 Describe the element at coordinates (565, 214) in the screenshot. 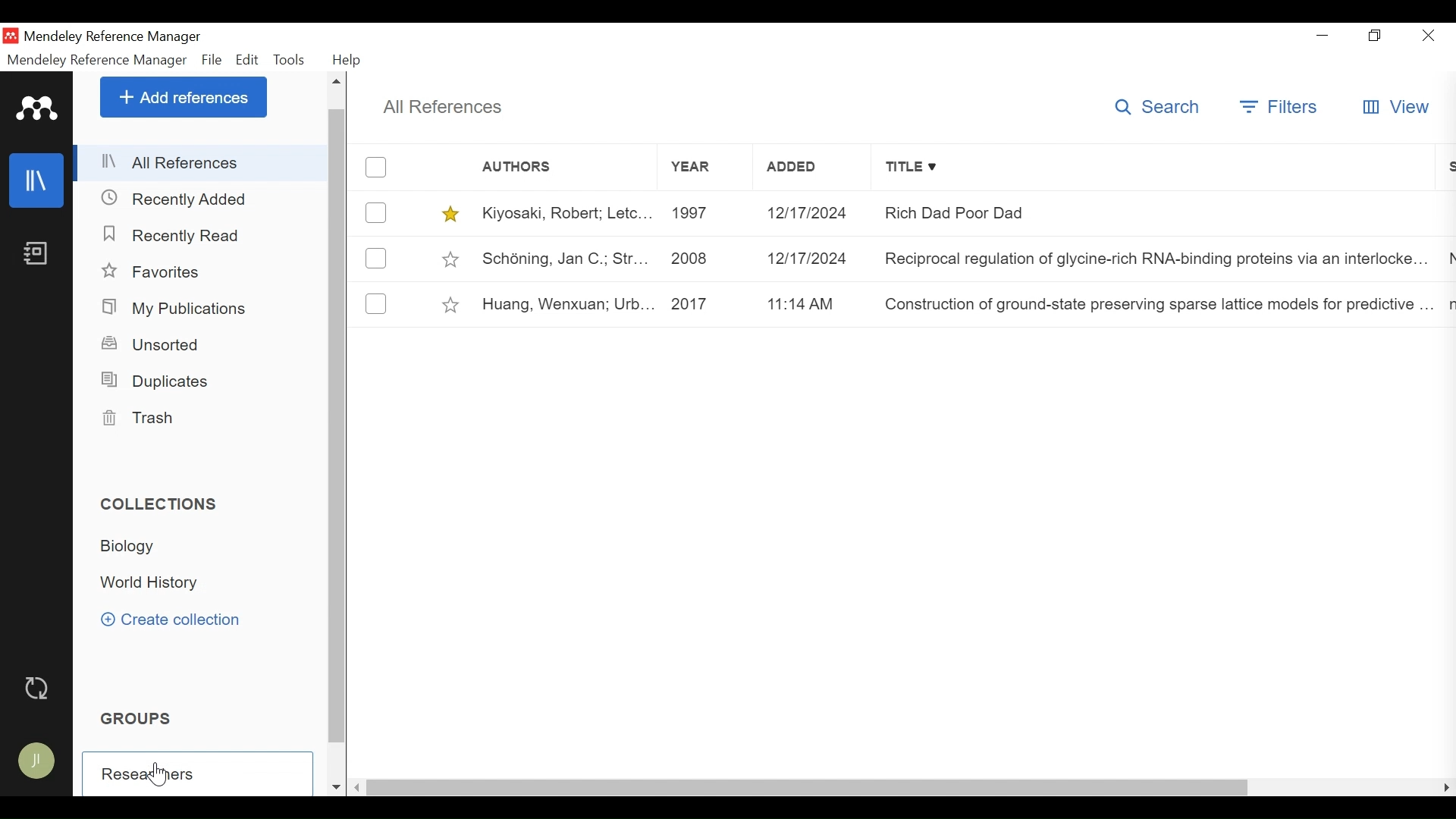

I see `Kiyosaki, Robert; Letc...` at that location.